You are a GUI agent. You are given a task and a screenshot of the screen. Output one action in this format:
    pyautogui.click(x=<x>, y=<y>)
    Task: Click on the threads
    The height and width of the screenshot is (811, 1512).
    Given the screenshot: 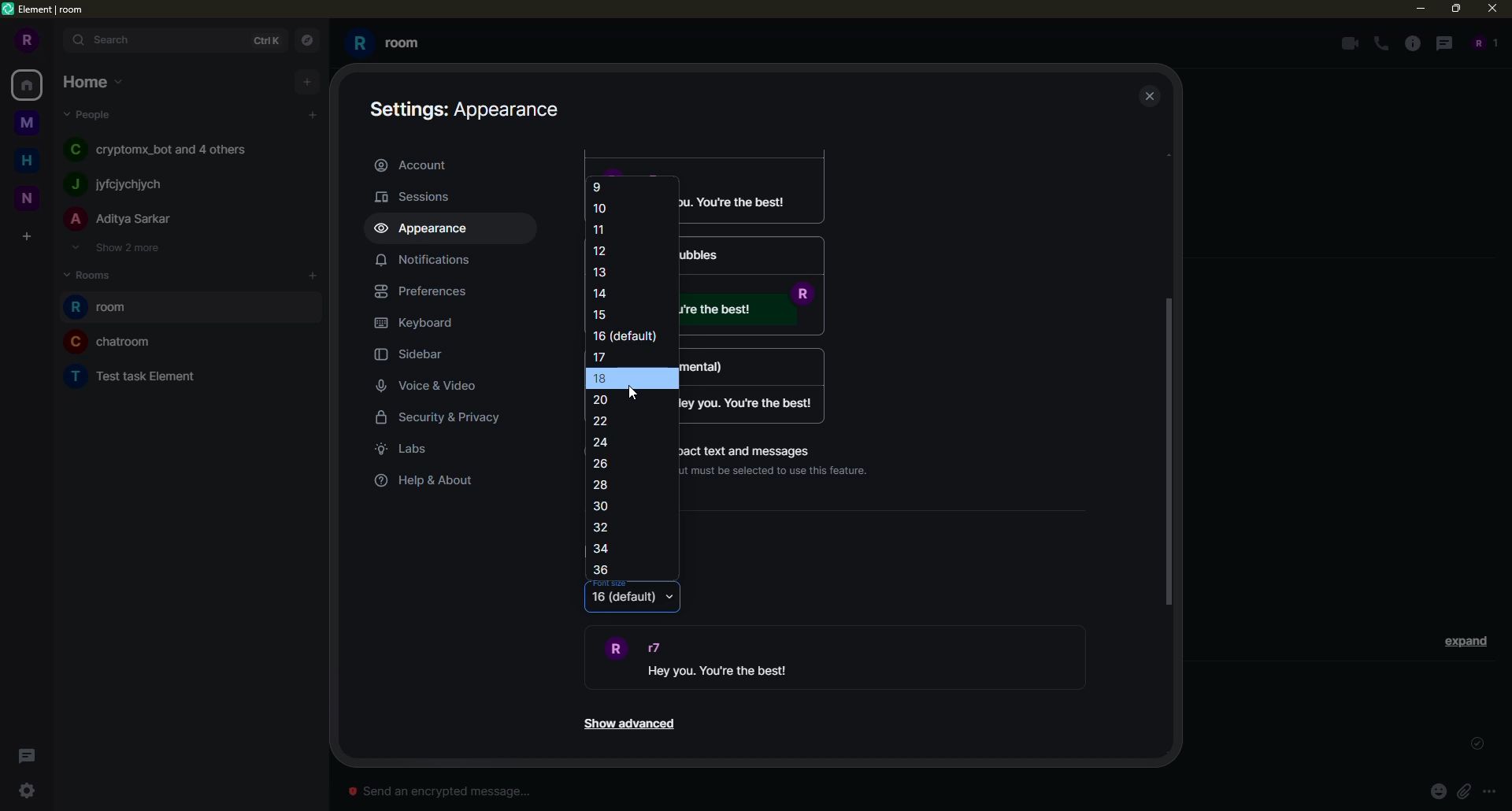 What is the action you would take?
    pyautogui.click(x=1442, y=43)
    